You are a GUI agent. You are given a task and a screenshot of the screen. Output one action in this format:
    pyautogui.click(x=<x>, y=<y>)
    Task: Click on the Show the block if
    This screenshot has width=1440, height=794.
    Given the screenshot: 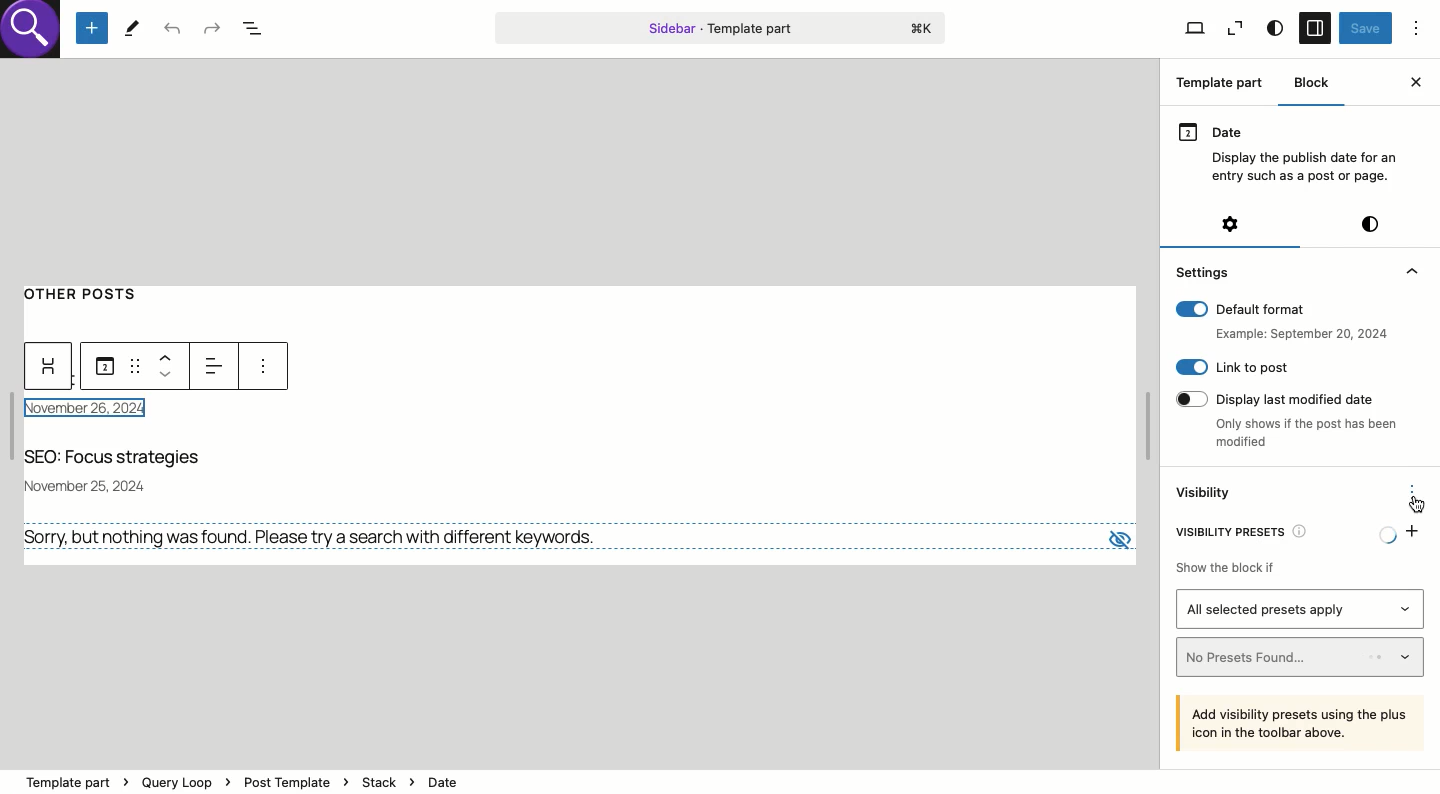 What is the action you would take?
    pyautogui.click(x=1223, y=564)
    